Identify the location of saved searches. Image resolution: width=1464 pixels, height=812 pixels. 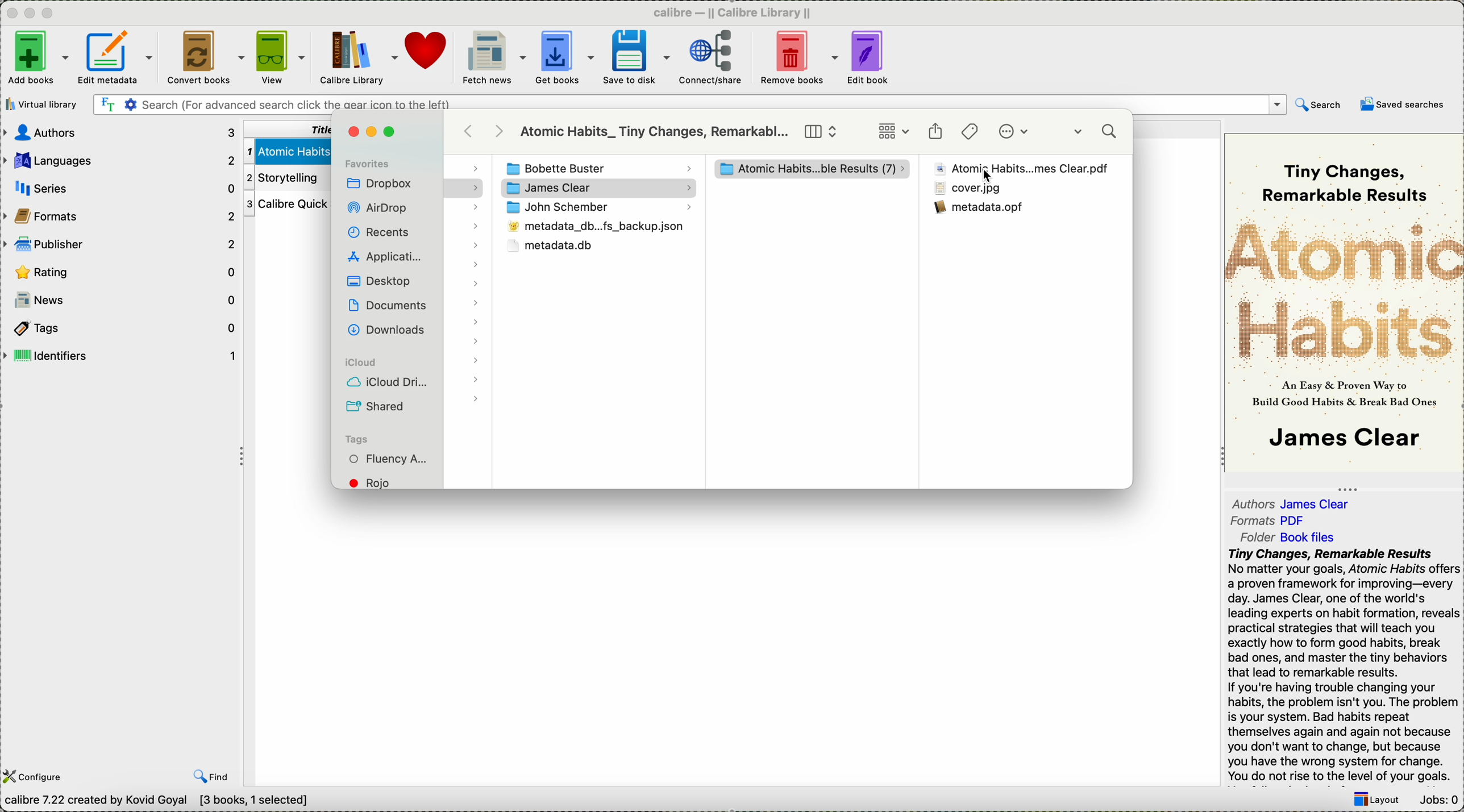
(1403, 104).